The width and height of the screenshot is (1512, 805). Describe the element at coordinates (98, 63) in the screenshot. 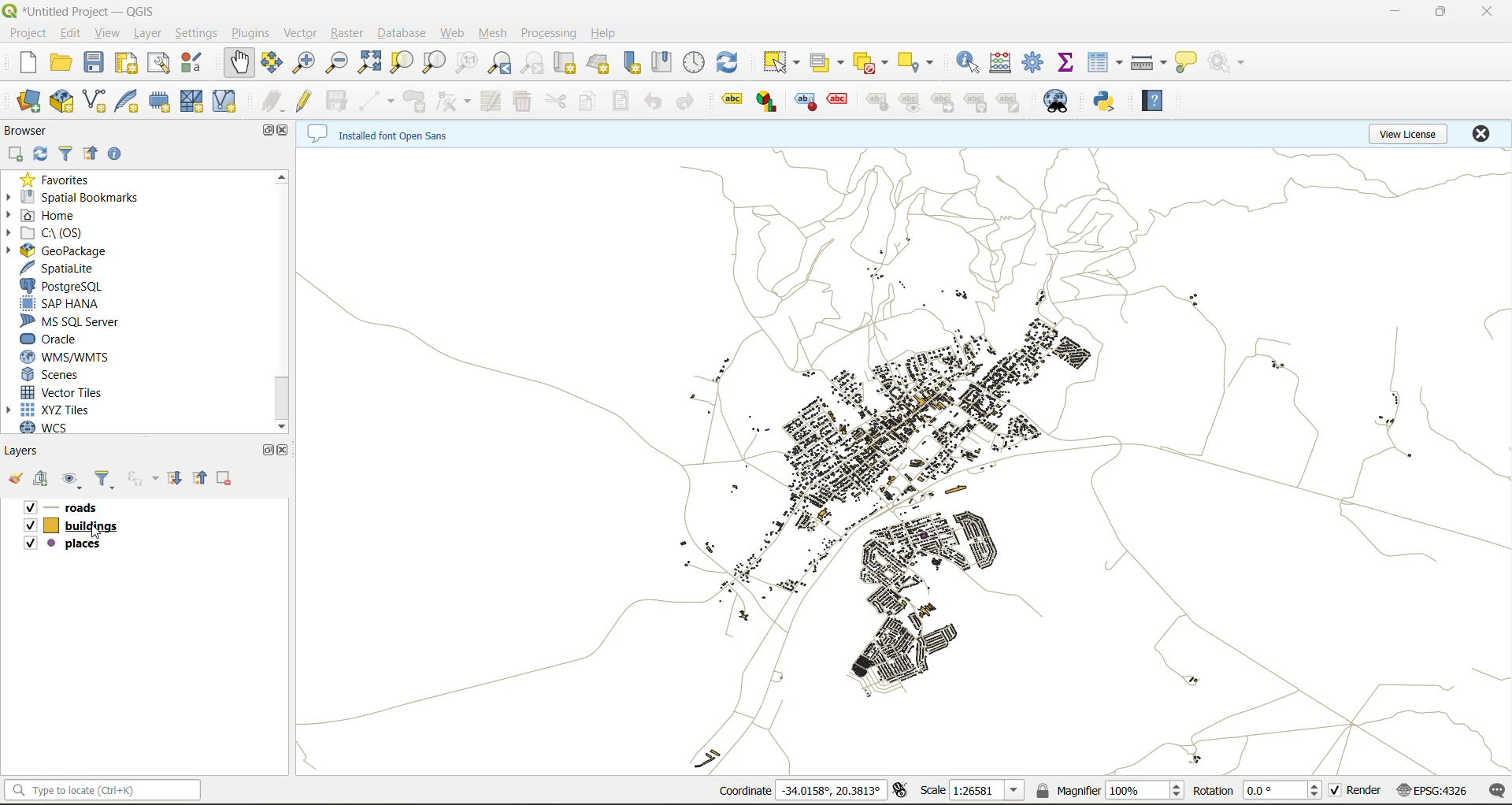

I see `save` at that location.